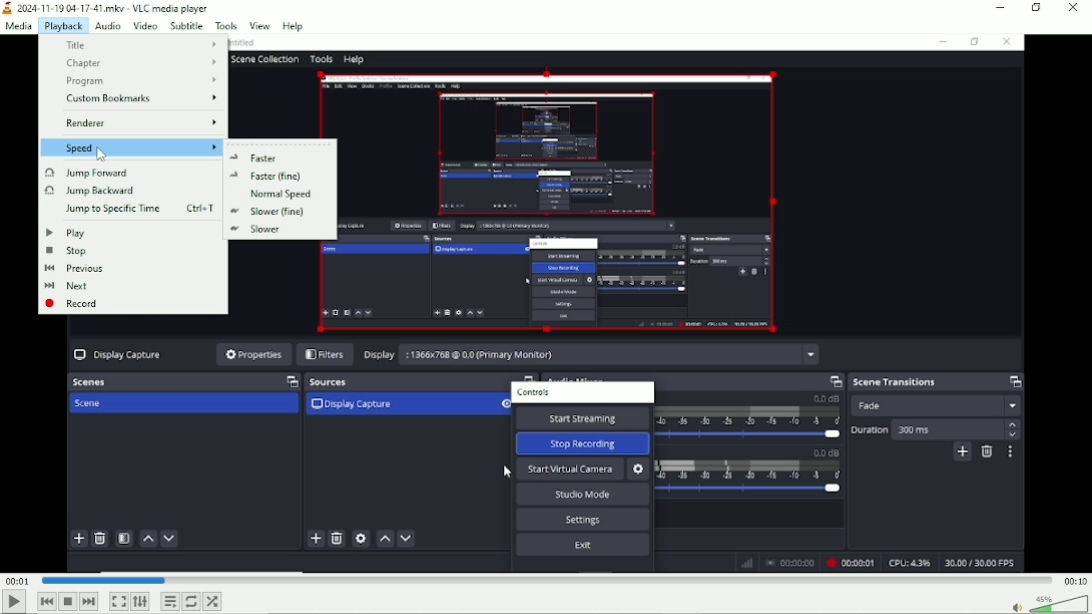  What do you see at coordinates (134, 64) in the screenshot?
I see `Chapter` at bounding box center [134, 64].